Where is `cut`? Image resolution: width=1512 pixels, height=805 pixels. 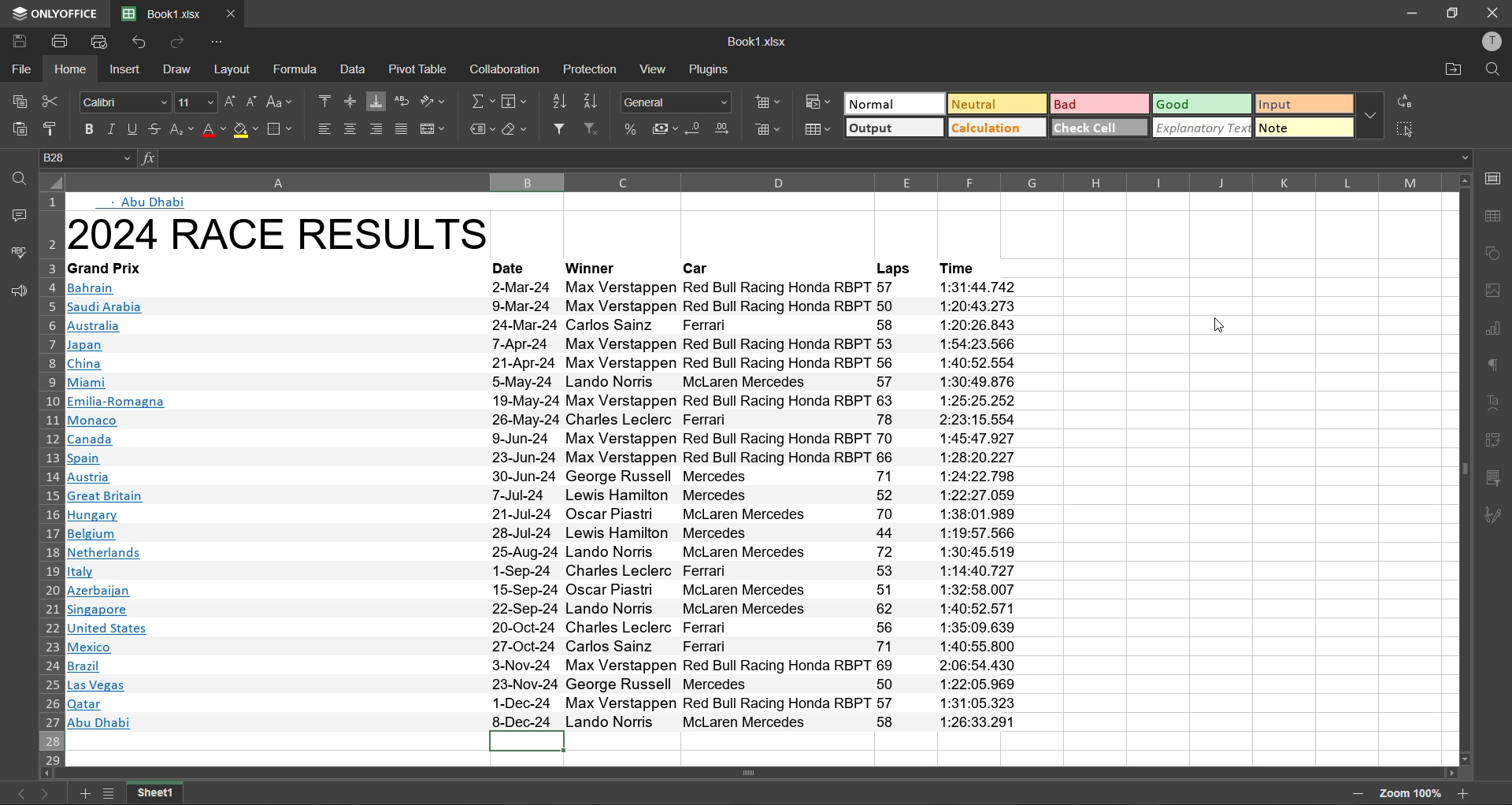
cut is located at coordinates (52, 103).